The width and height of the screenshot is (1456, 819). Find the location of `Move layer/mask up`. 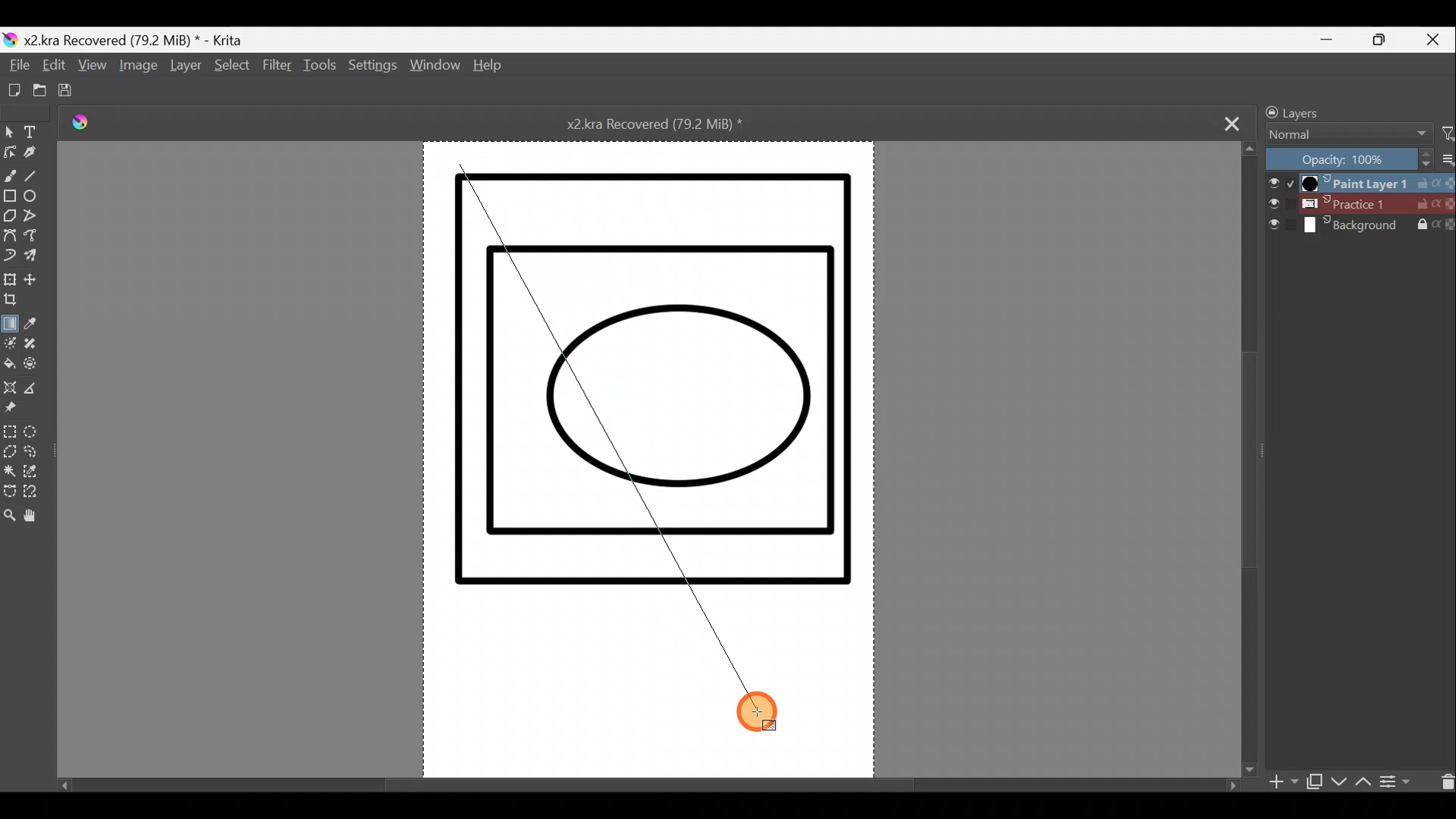

Move layer/mask up is located at coordinates (1361, 782).